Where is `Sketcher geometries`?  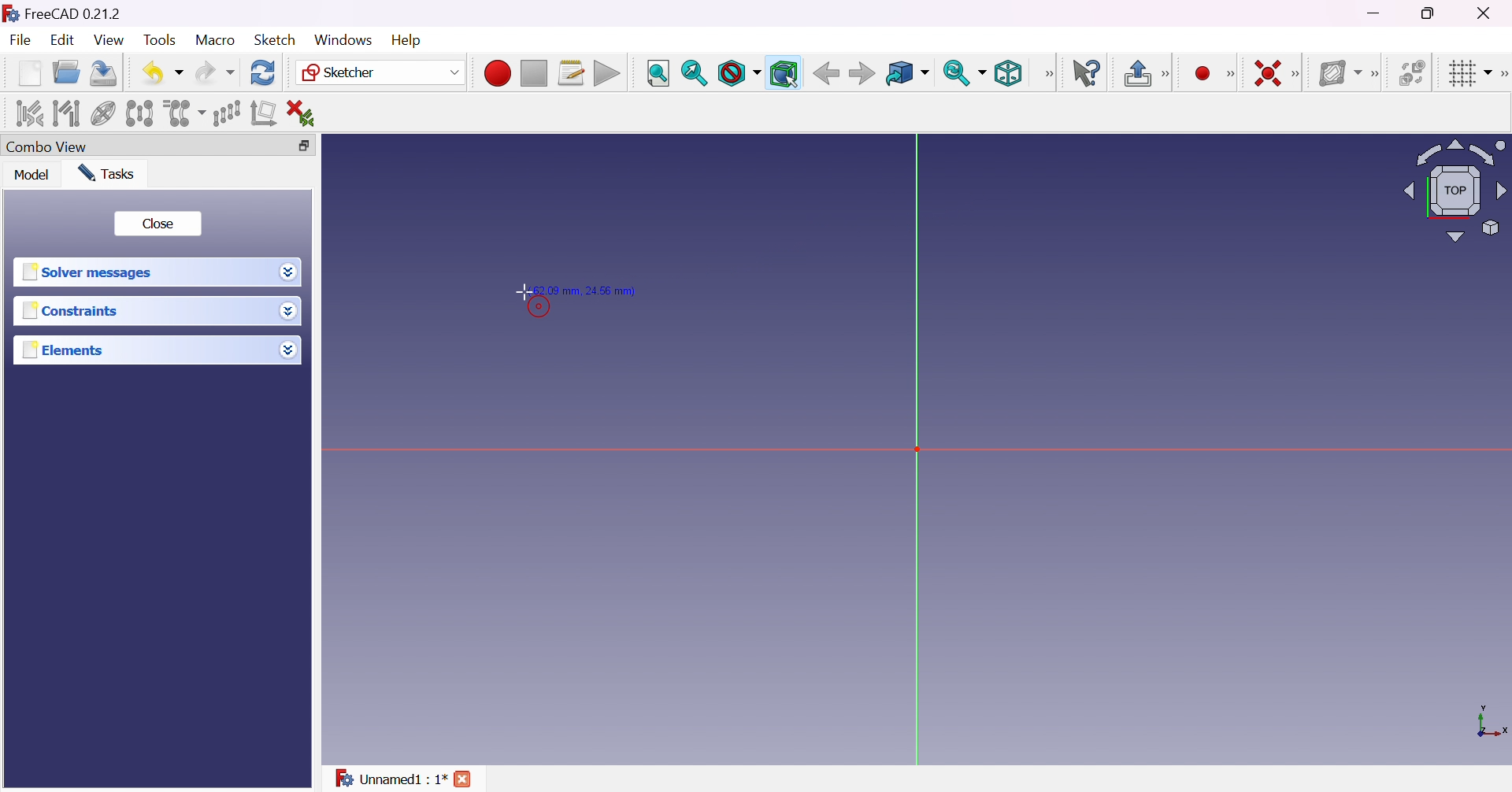
Sketcher geometries is located at coordinates (1230, 75).